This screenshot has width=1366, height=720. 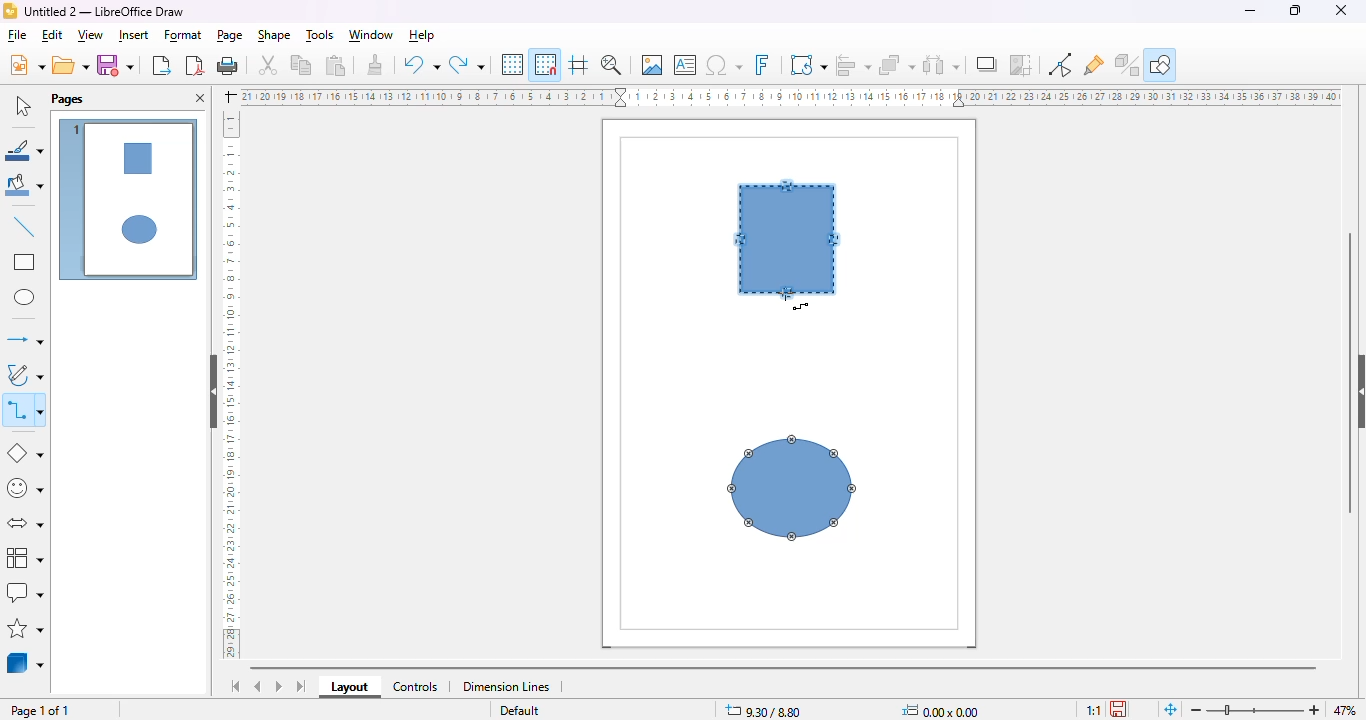 What do you see at coordinates (67, 98) in the screenshot?
I see `pages` at bounding box center [67, 98].